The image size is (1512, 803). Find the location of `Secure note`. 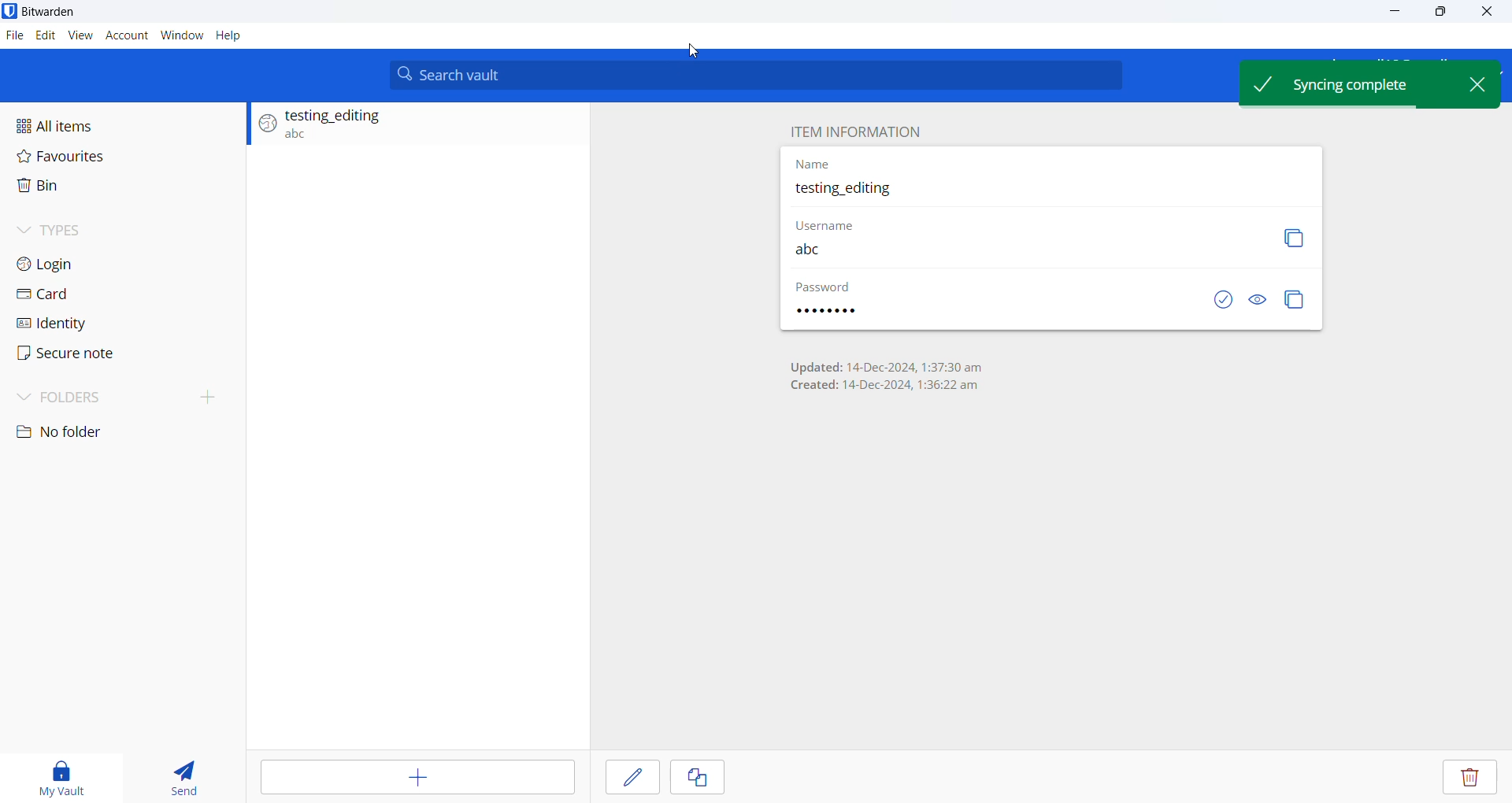

Secure note is located at coordinates (79, 354).